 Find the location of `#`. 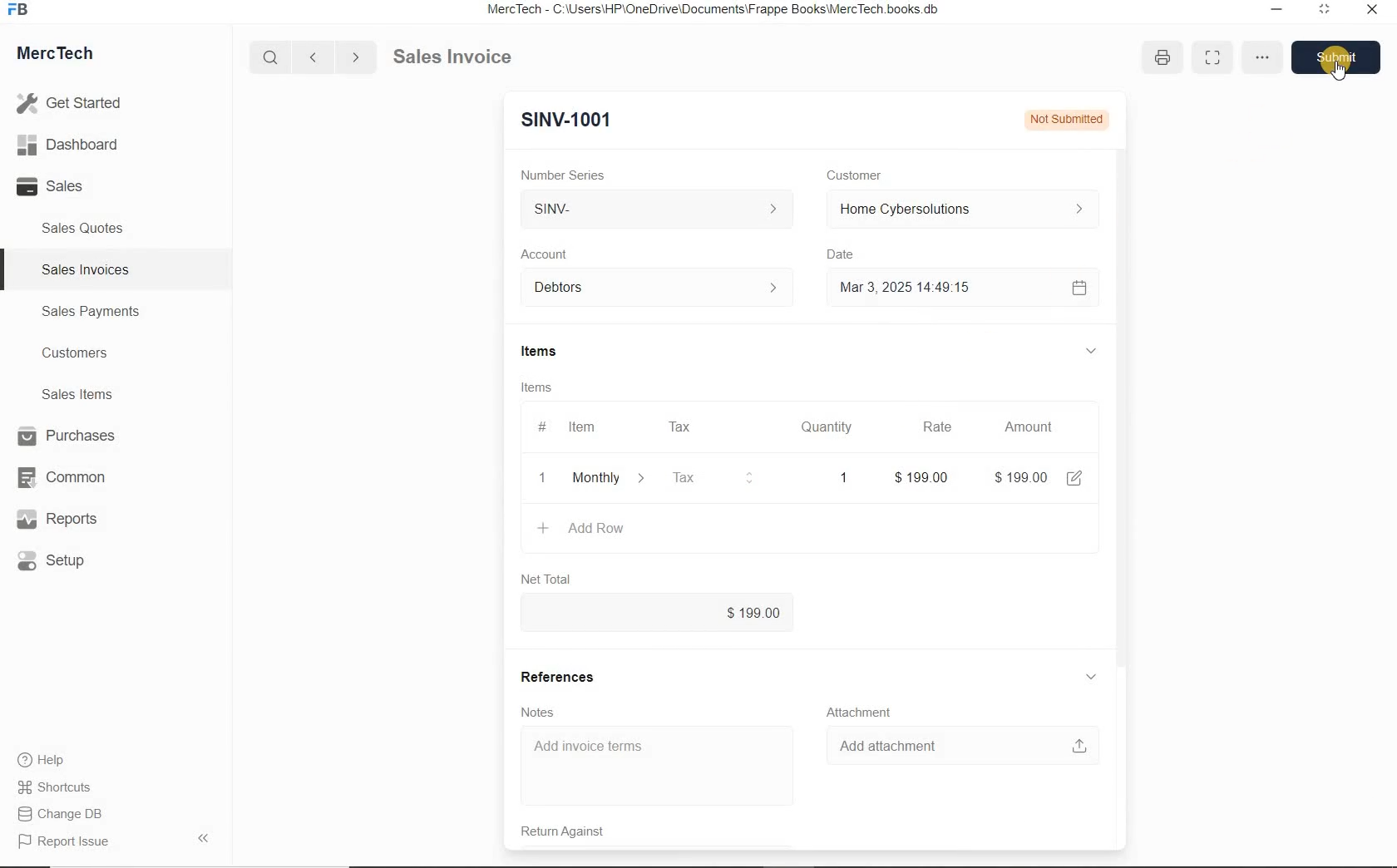

# is located at coordinates (540, 427).